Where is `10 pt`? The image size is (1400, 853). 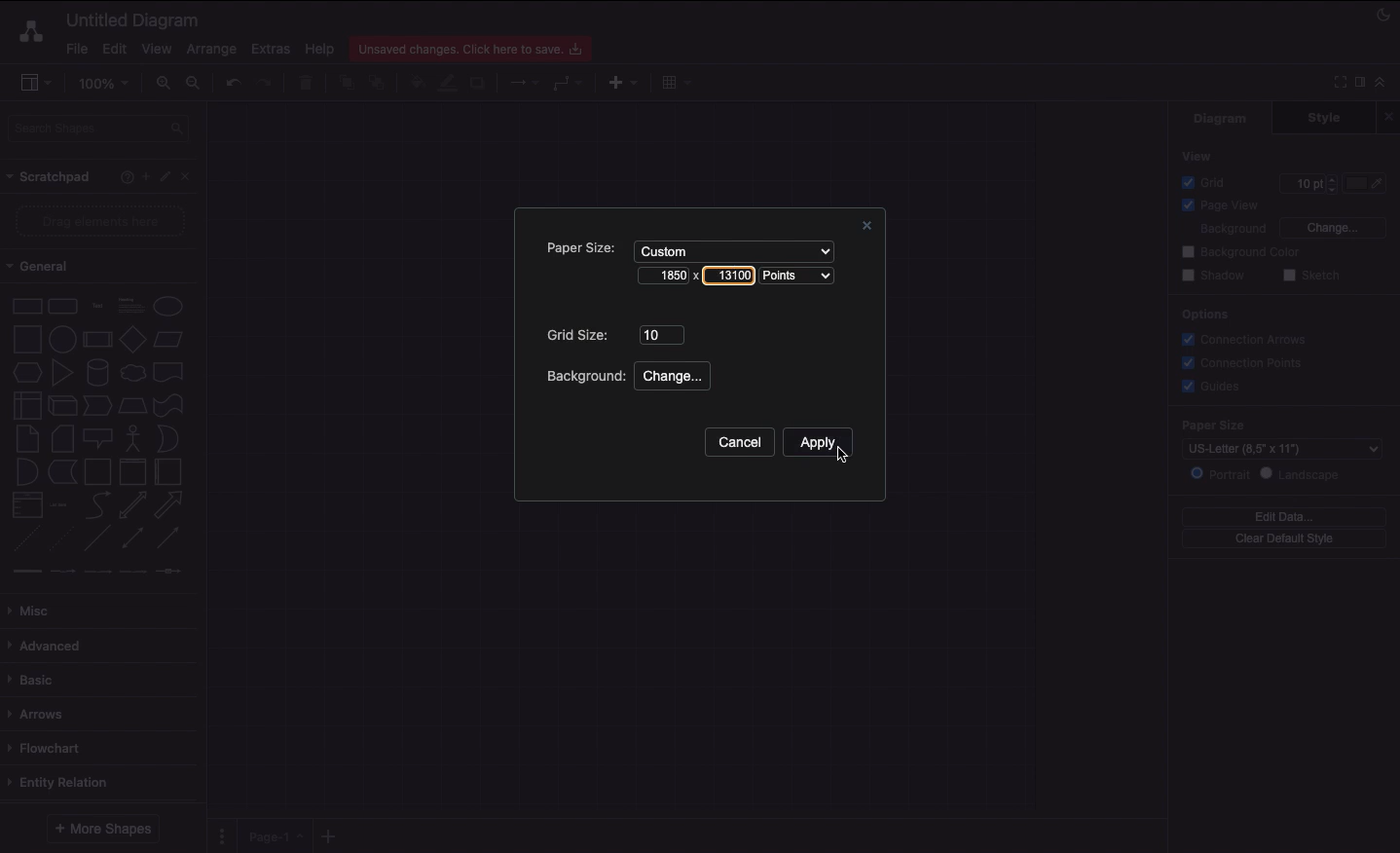
10 pt is located at coordinates (1307, 181).